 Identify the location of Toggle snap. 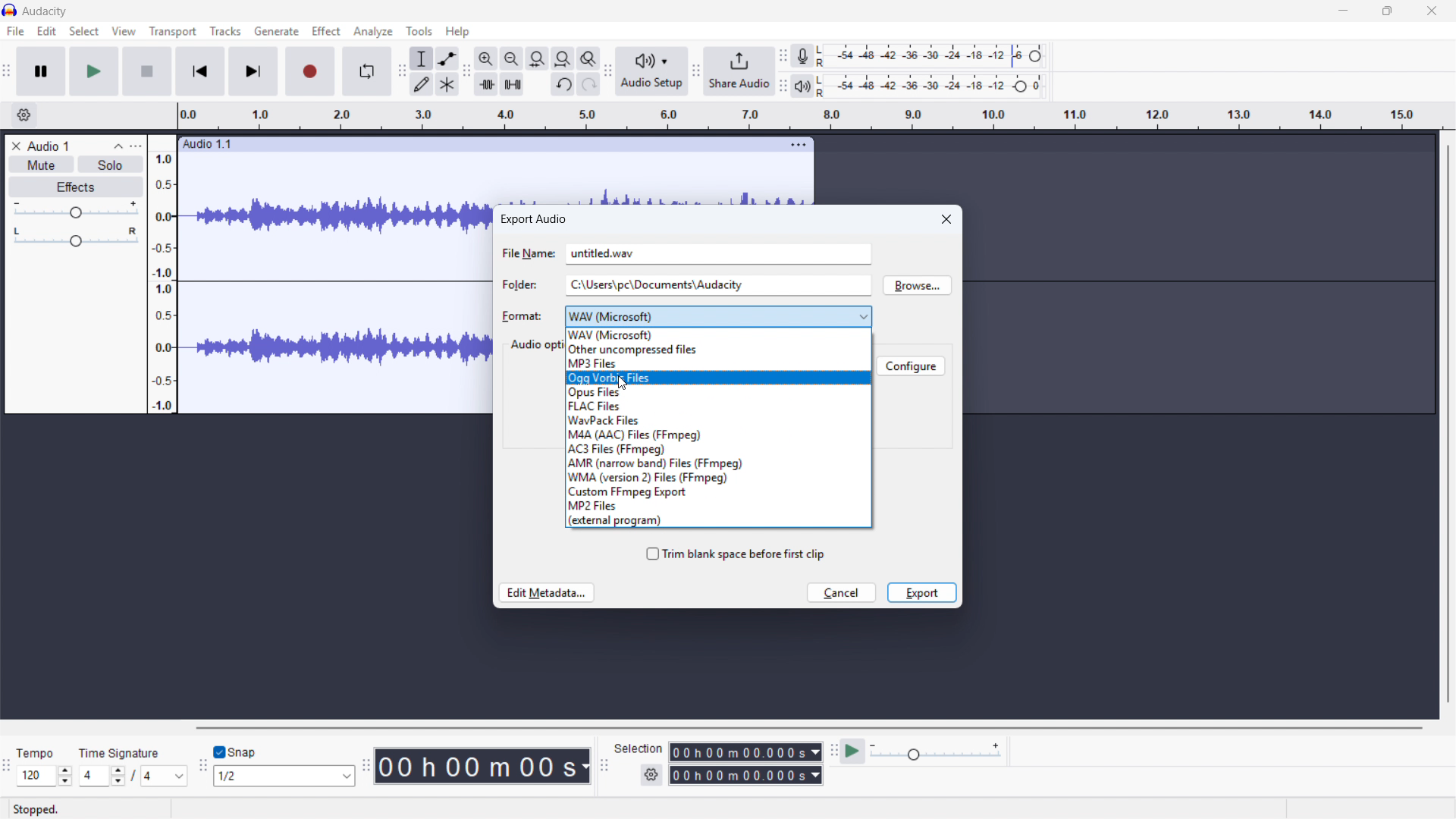
(235, 752).